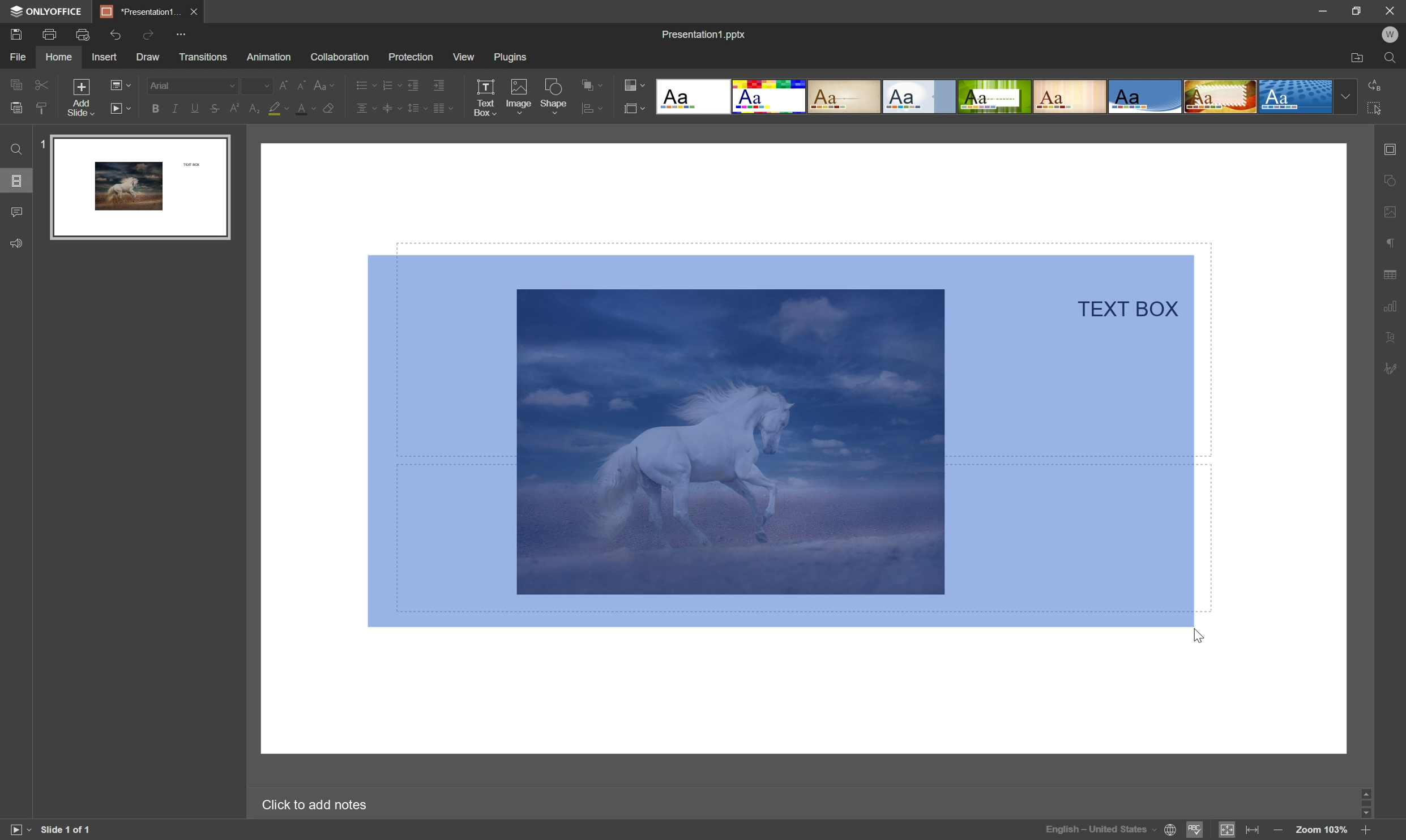 The width and height of the screenshot is (1406, 840). What do you see at coordinates (16, 245) in the screenshot?
I see `feedback & support` at bounding box center [16, 245].